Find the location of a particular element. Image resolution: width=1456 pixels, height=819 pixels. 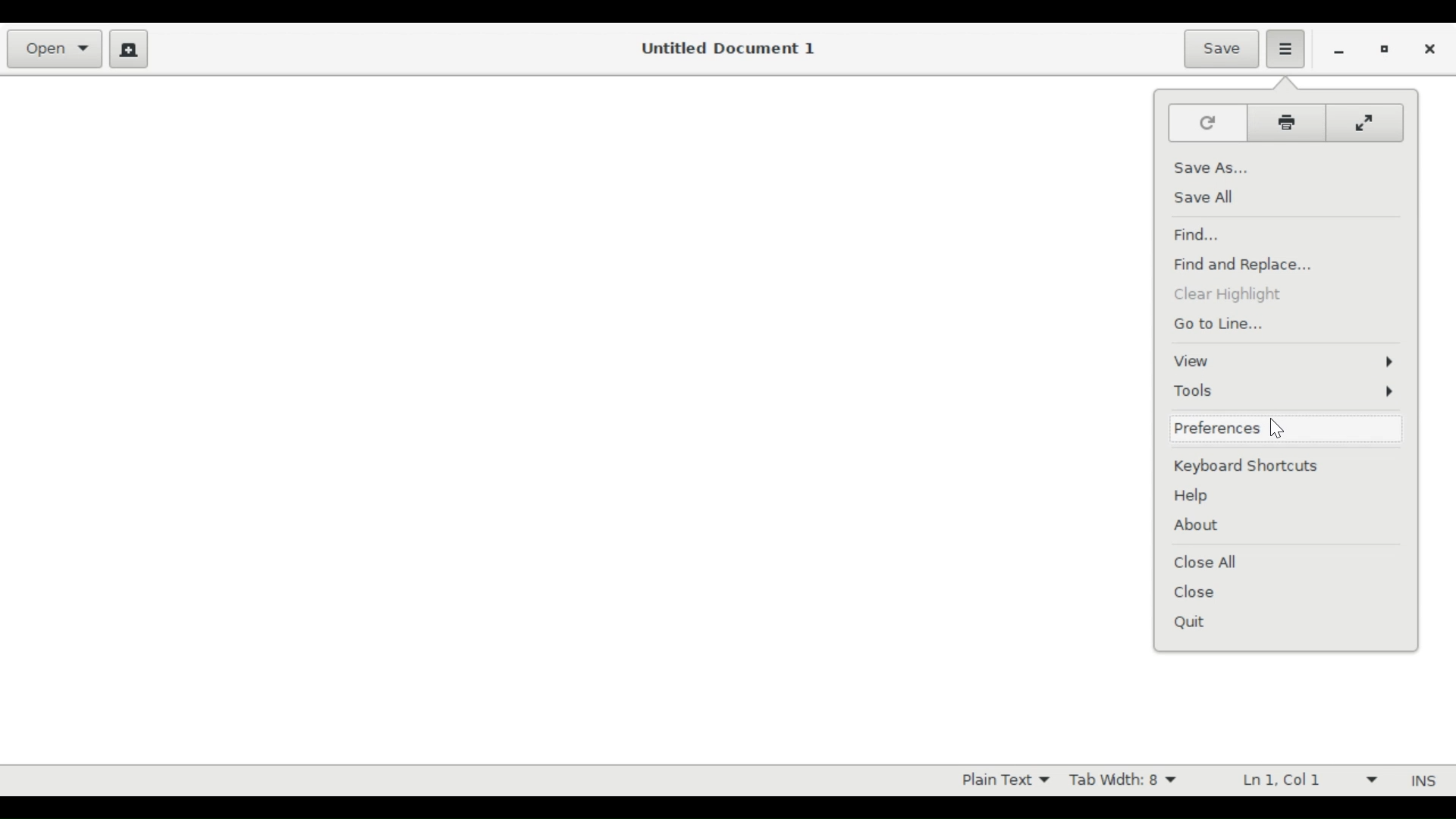

Quit is located at coordinates (1194, 622).